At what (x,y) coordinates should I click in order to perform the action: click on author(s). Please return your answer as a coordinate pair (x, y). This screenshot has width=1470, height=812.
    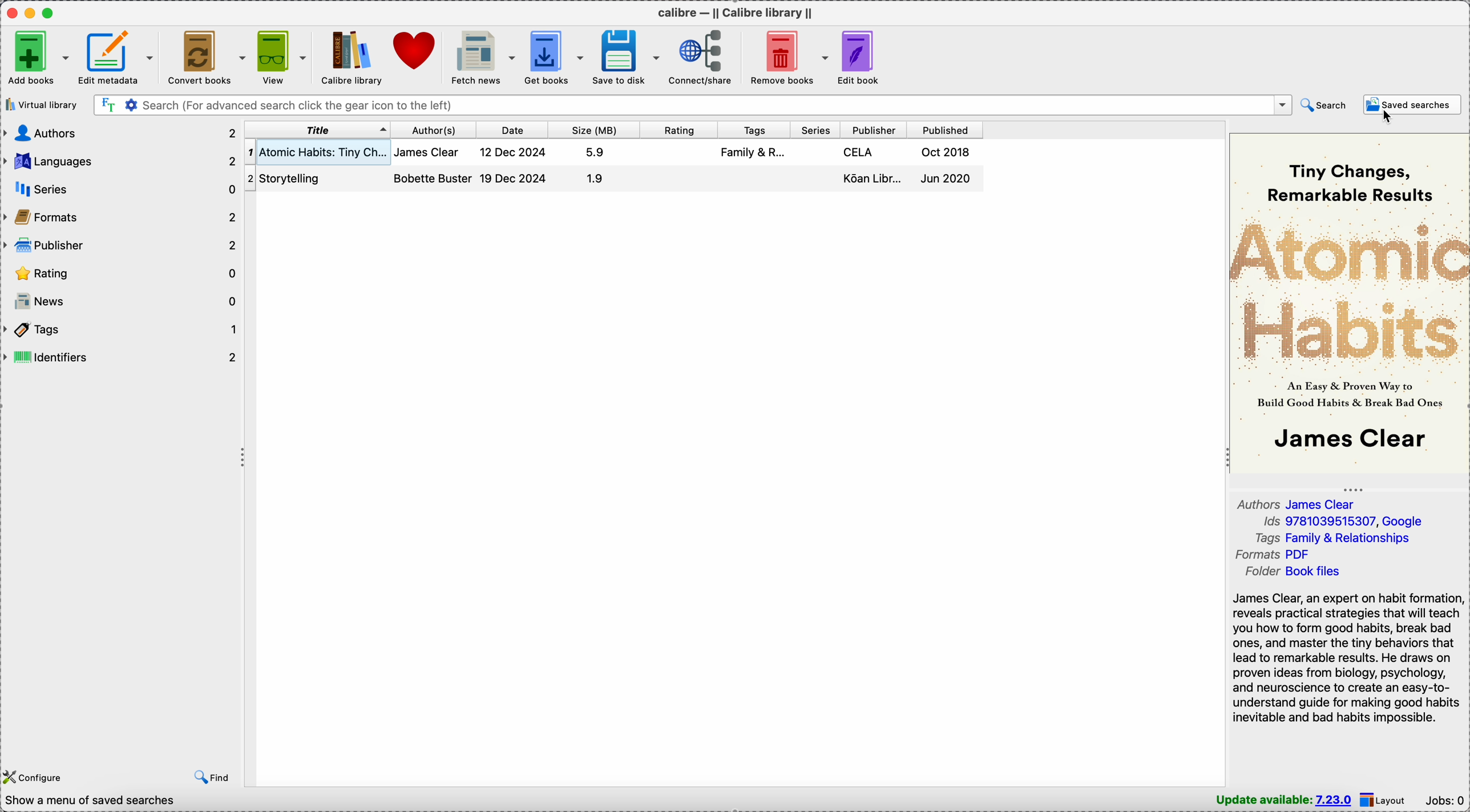
    Looking at the image, I should click on (434, 131).